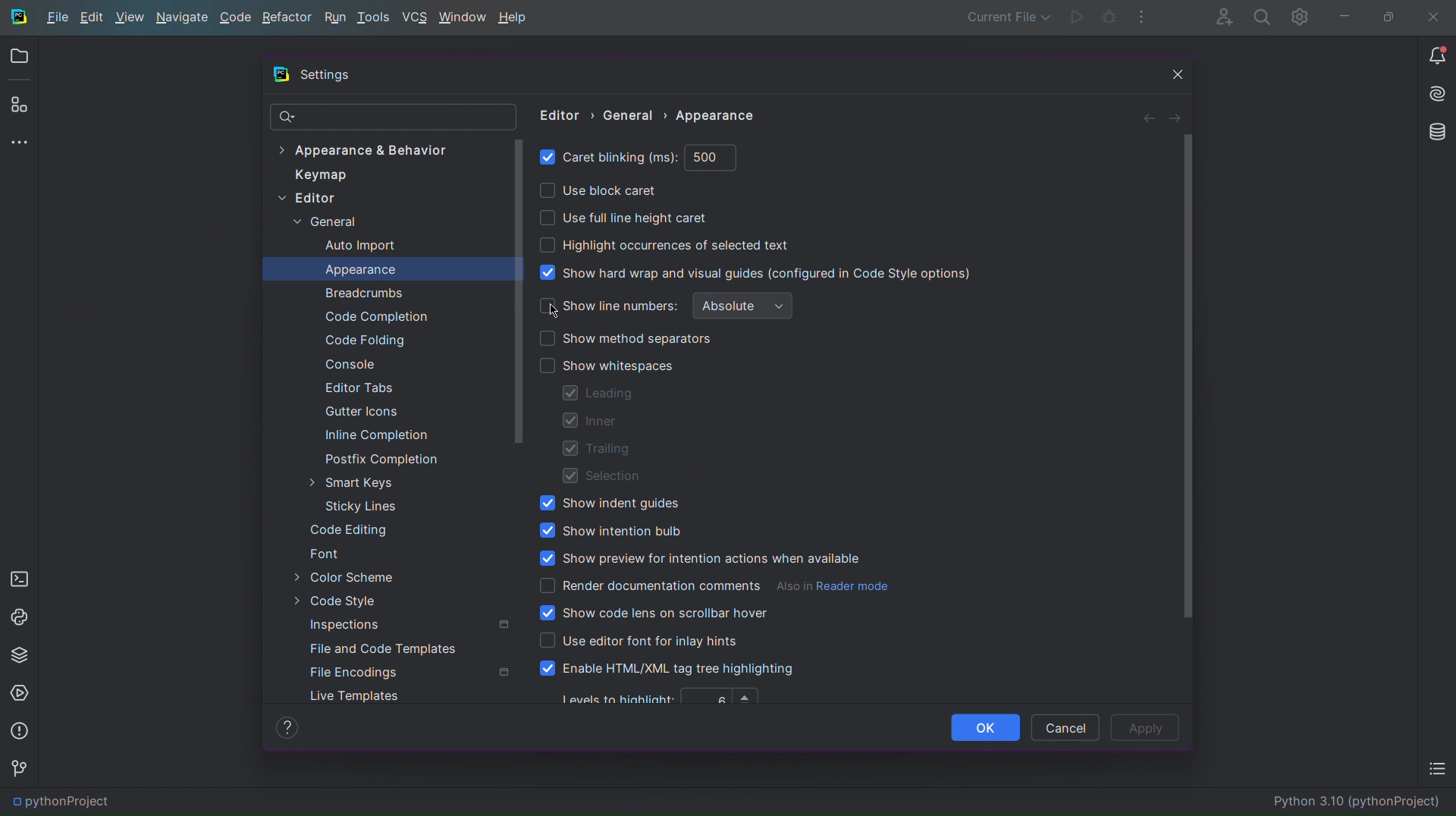 The width and height of the screenshot is (1456, 816). What do you see at coordinates (359, 246) in the screenshot?
I see `Auto Import` at bounding box center [359, 246].